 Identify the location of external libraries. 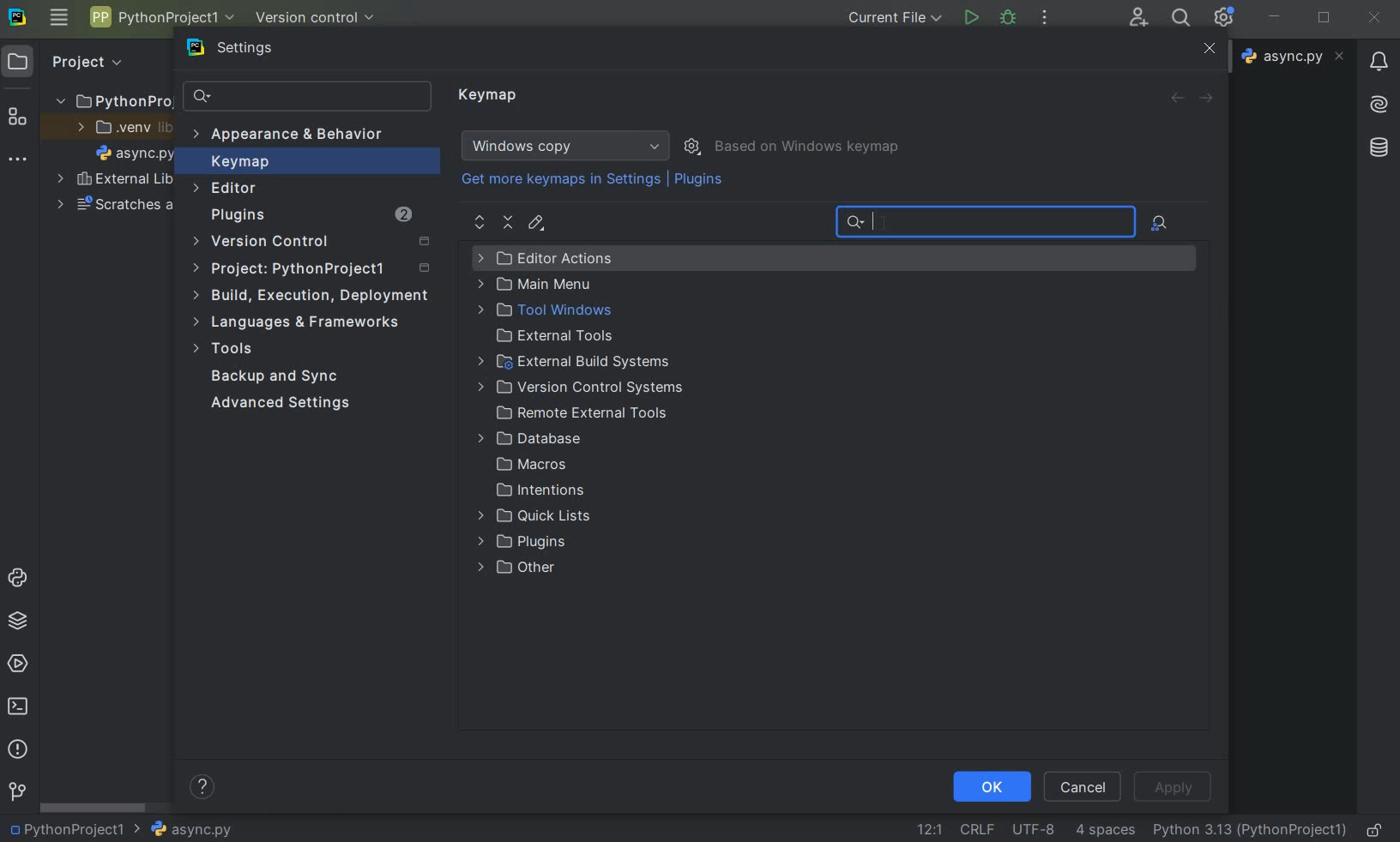
(115, 181).